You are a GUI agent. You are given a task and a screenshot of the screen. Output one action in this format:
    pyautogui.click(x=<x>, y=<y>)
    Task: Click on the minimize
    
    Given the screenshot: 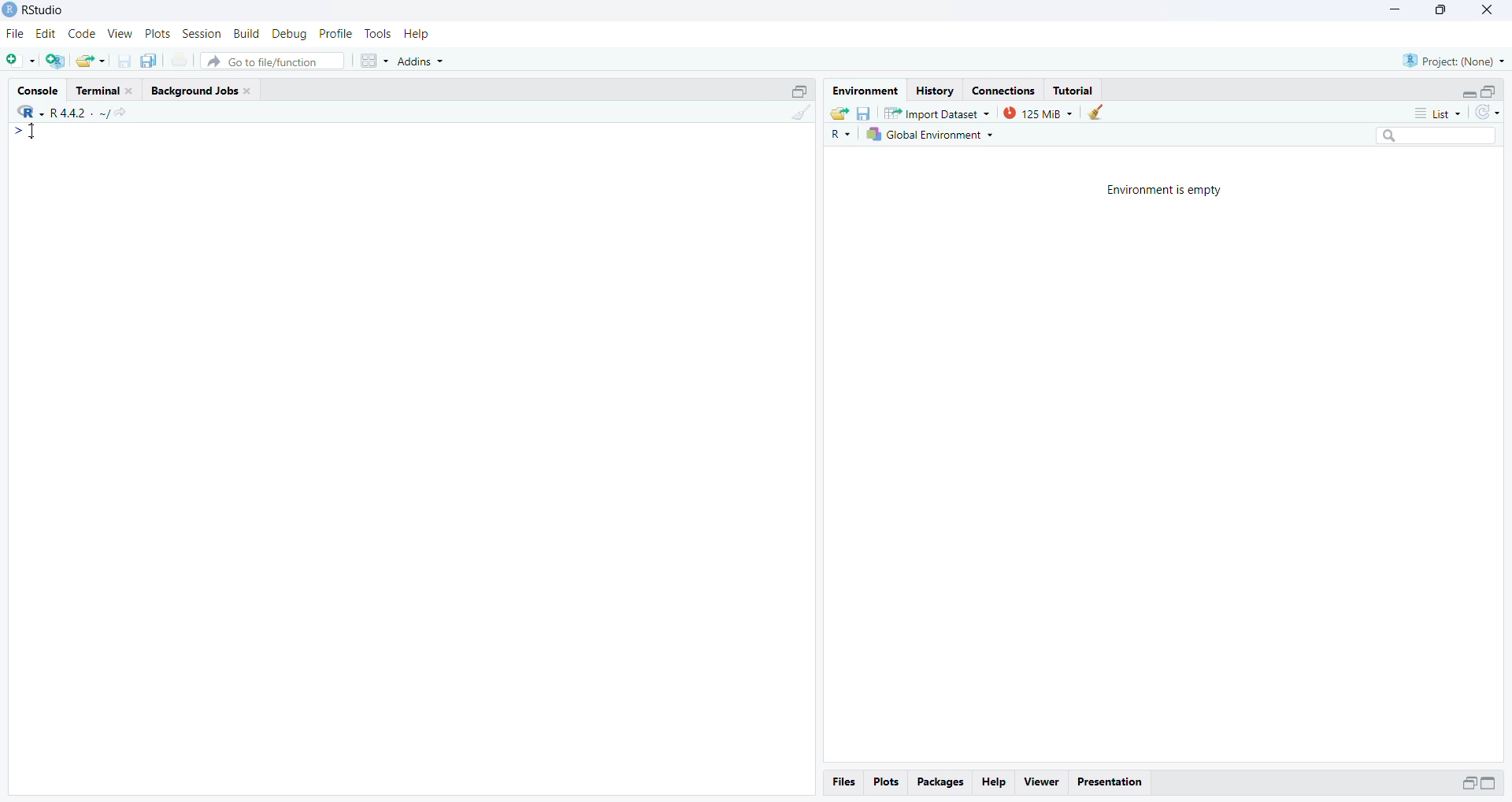 What is the action you would take?
    pyautogui.click(x=799, y=90)
    